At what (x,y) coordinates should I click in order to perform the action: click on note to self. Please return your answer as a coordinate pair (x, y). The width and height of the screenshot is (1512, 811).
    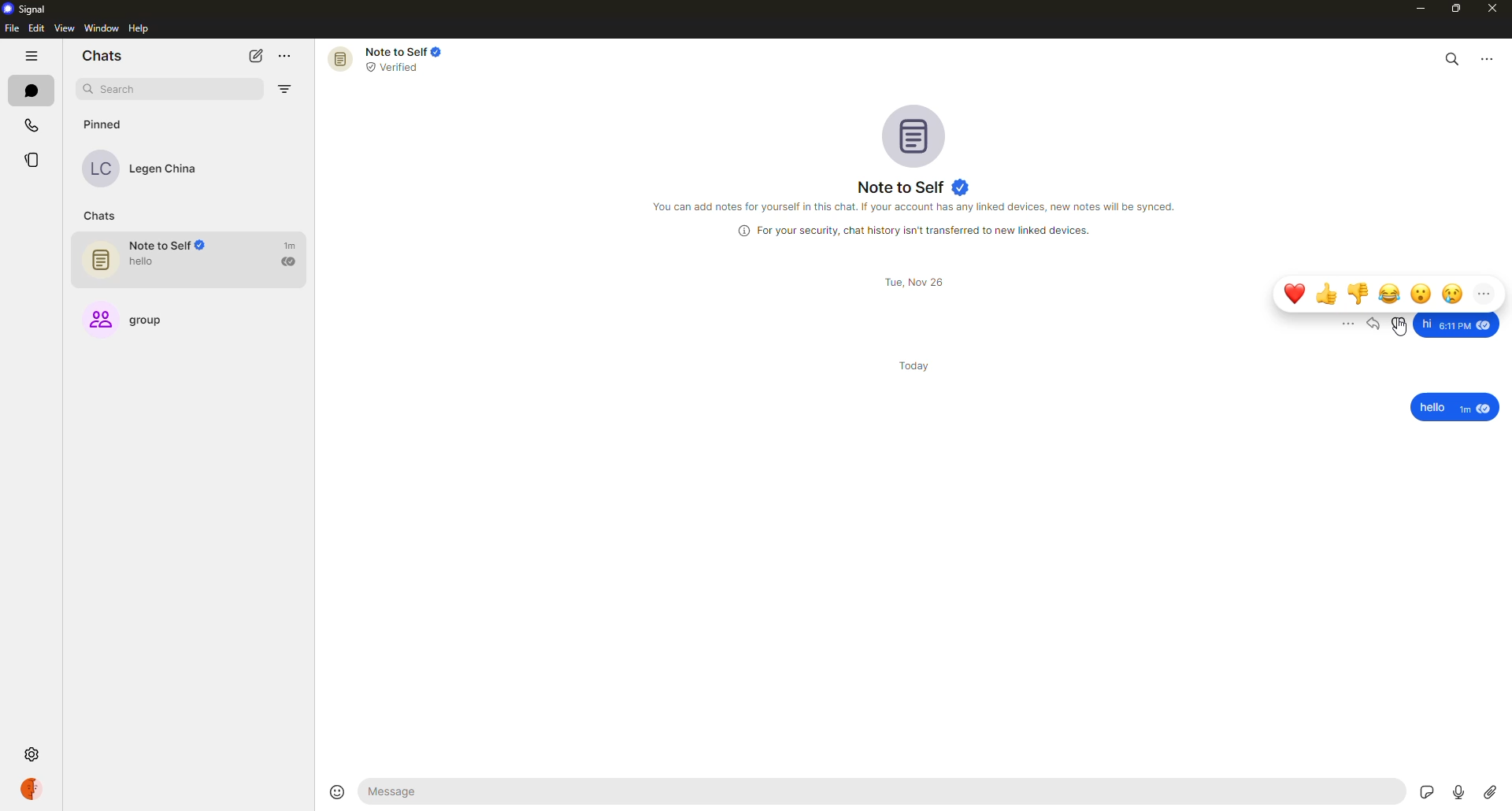
    Looking at the image, I should click on (196, 260).